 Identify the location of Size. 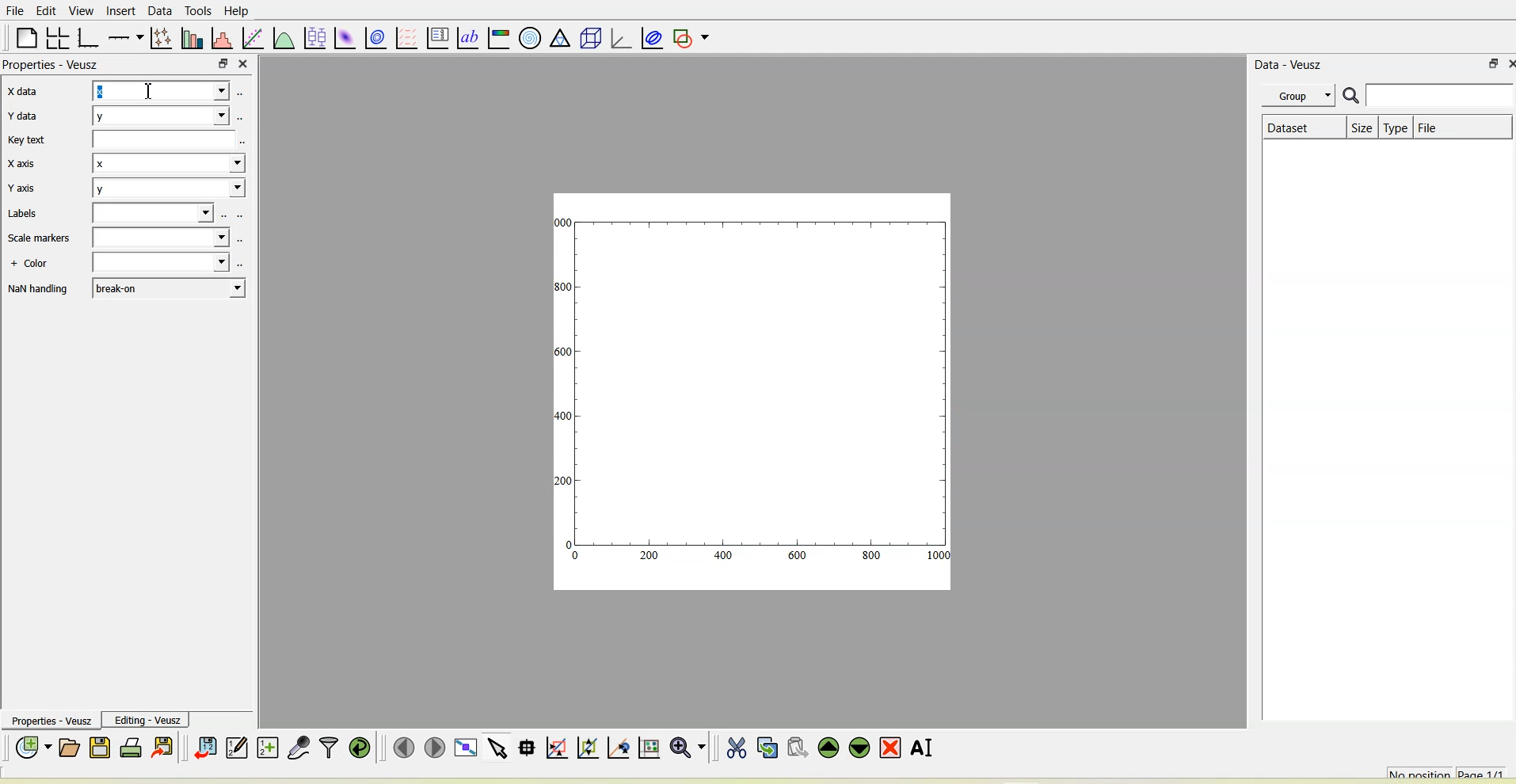
(1362, 127).